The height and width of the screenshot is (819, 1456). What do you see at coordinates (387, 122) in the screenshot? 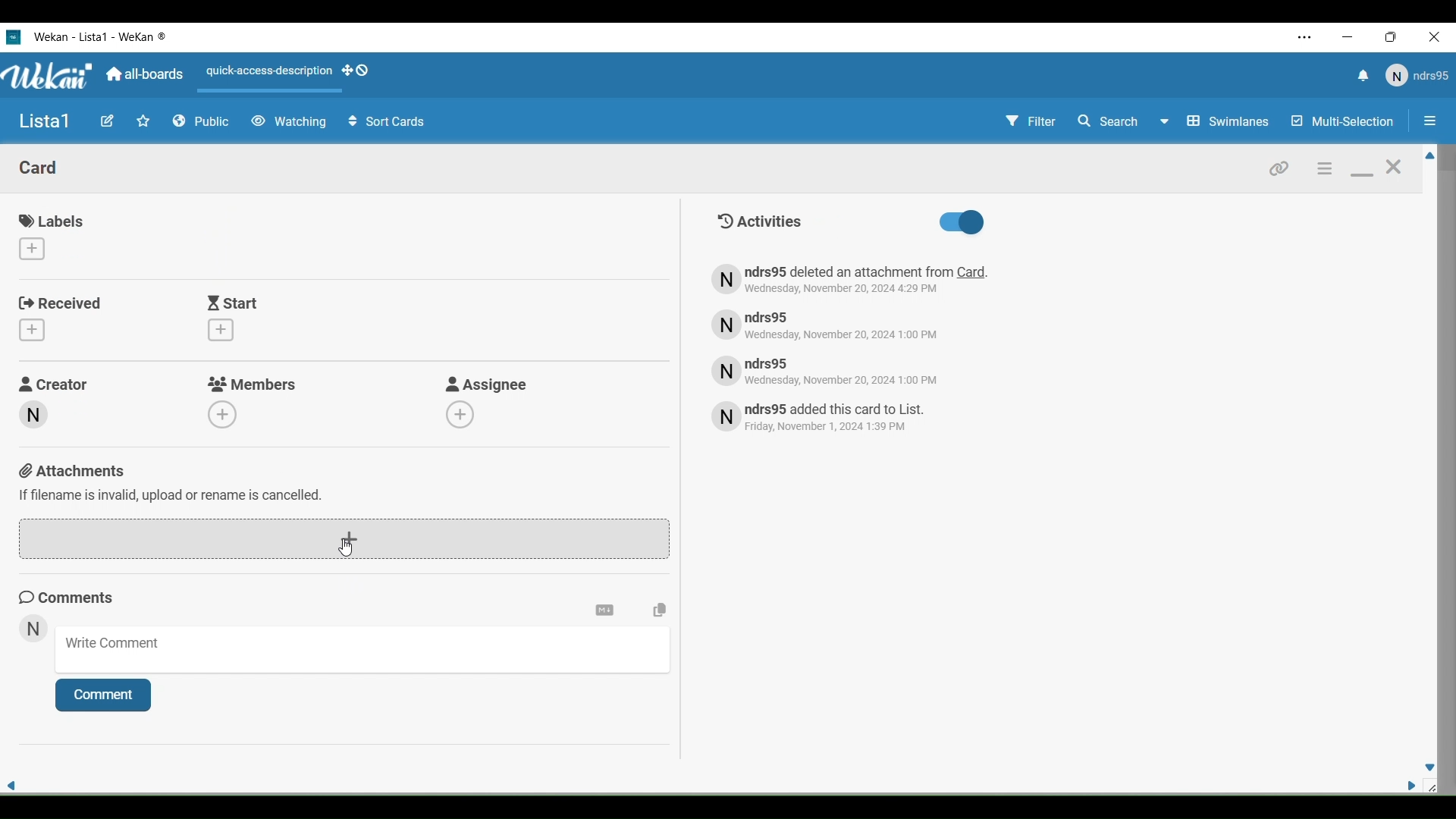
I see `Sort Cells` at bounding box center [387, 122].